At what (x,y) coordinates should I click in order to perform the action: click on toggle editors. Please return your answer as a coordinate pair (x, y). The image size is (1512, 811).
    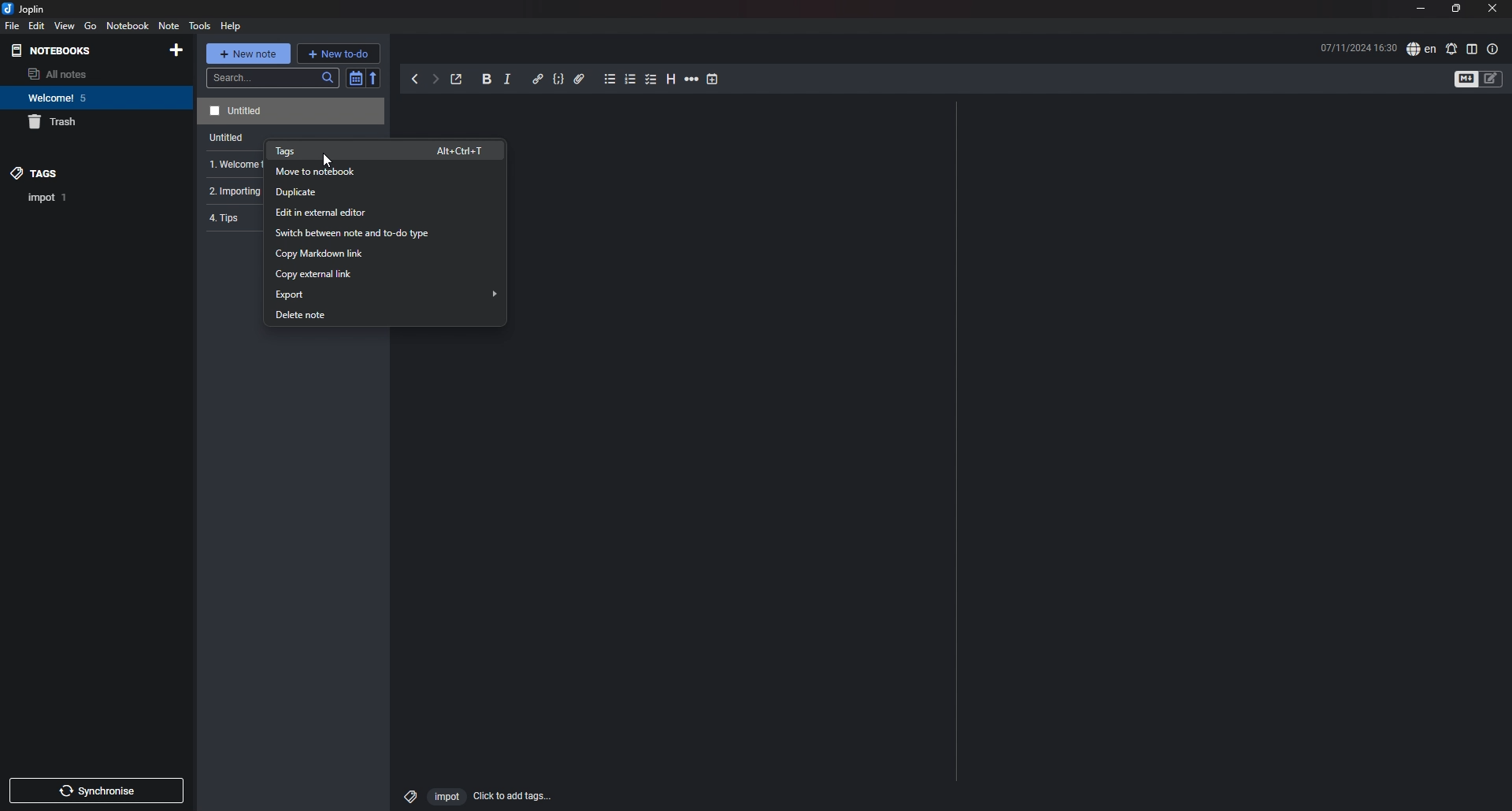
    Looking at the image, I should click on (1466, 80).